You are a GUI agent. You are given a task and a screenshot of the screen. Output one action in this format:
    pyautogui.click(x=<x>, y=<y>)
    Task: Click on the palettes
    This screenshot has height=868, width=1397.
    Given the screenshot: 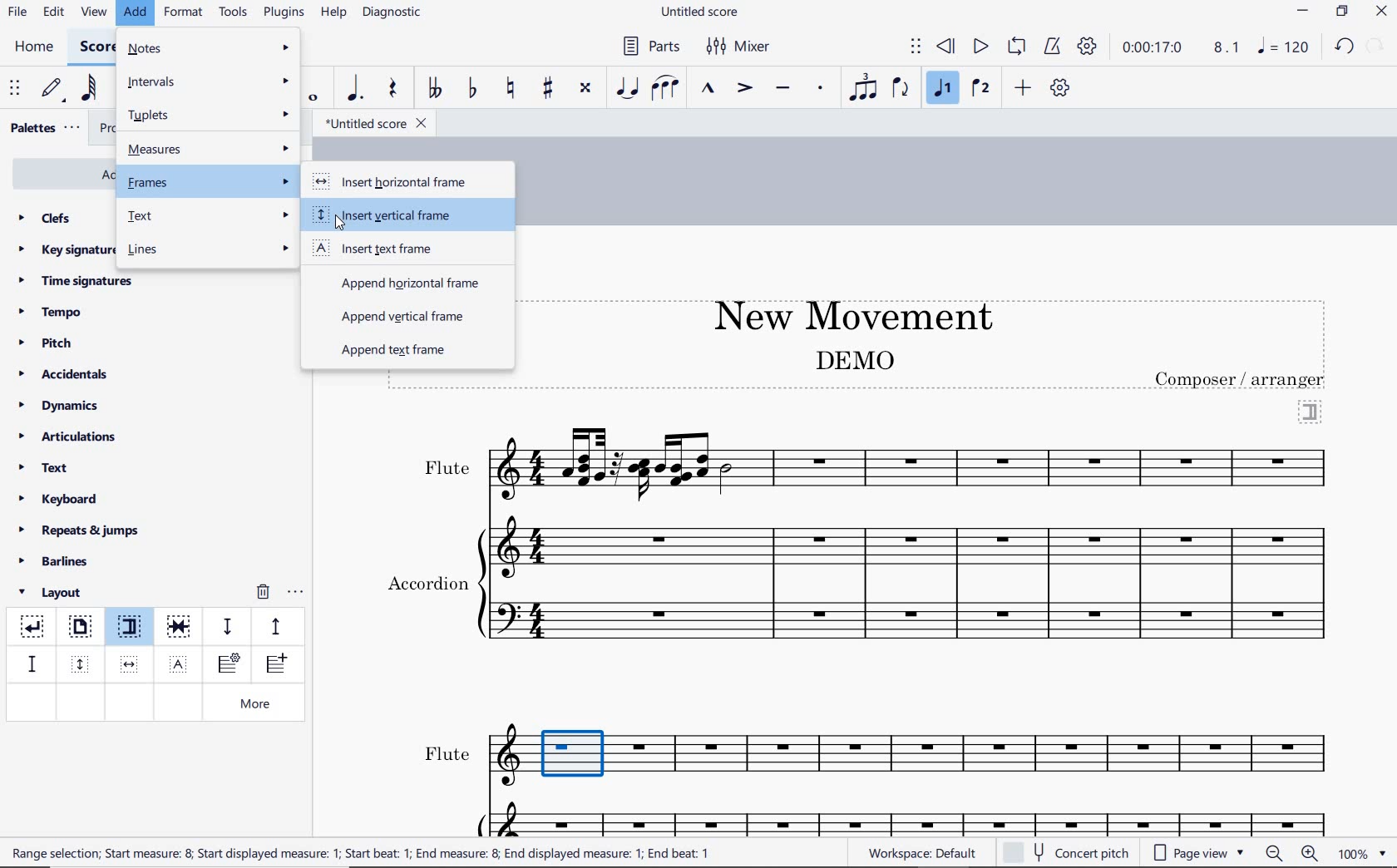 What is the action you would take?
    pyautogui.click(x=43, y=129)
    